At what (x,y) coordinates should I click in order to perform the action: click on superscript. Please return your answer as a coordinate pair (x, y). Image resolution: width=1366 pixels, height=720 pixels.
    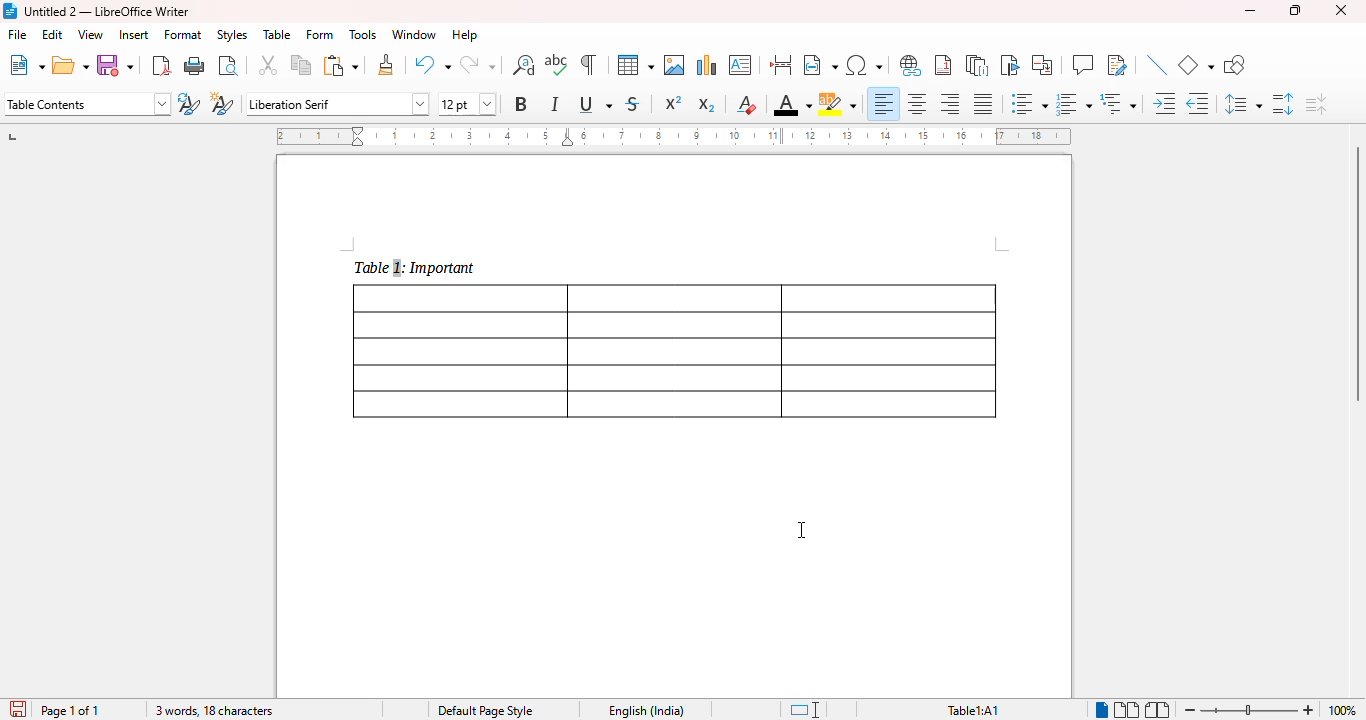
    Looking at the image, I should click on (674, 102).